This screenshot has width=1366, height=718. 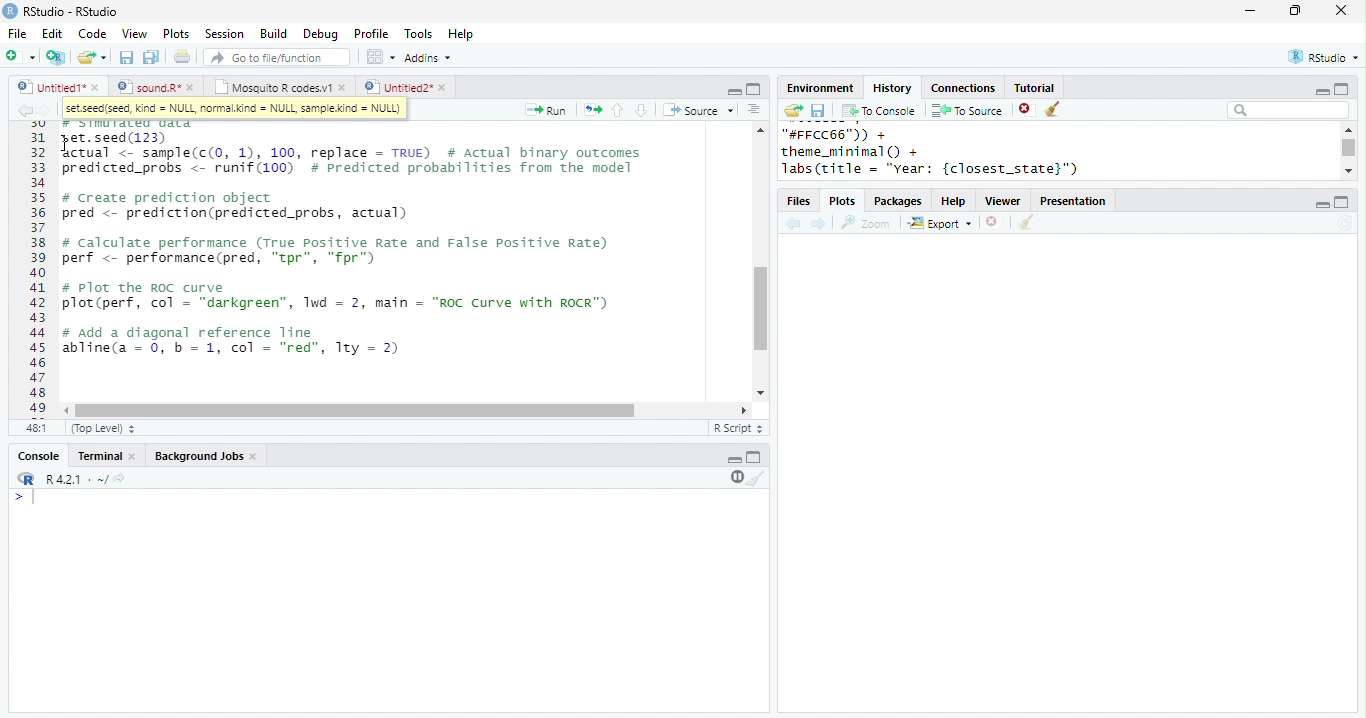 What do you see at coordinates (819, 88) in the screenshot?
I see `Environment` at bounding box center [819, 88].